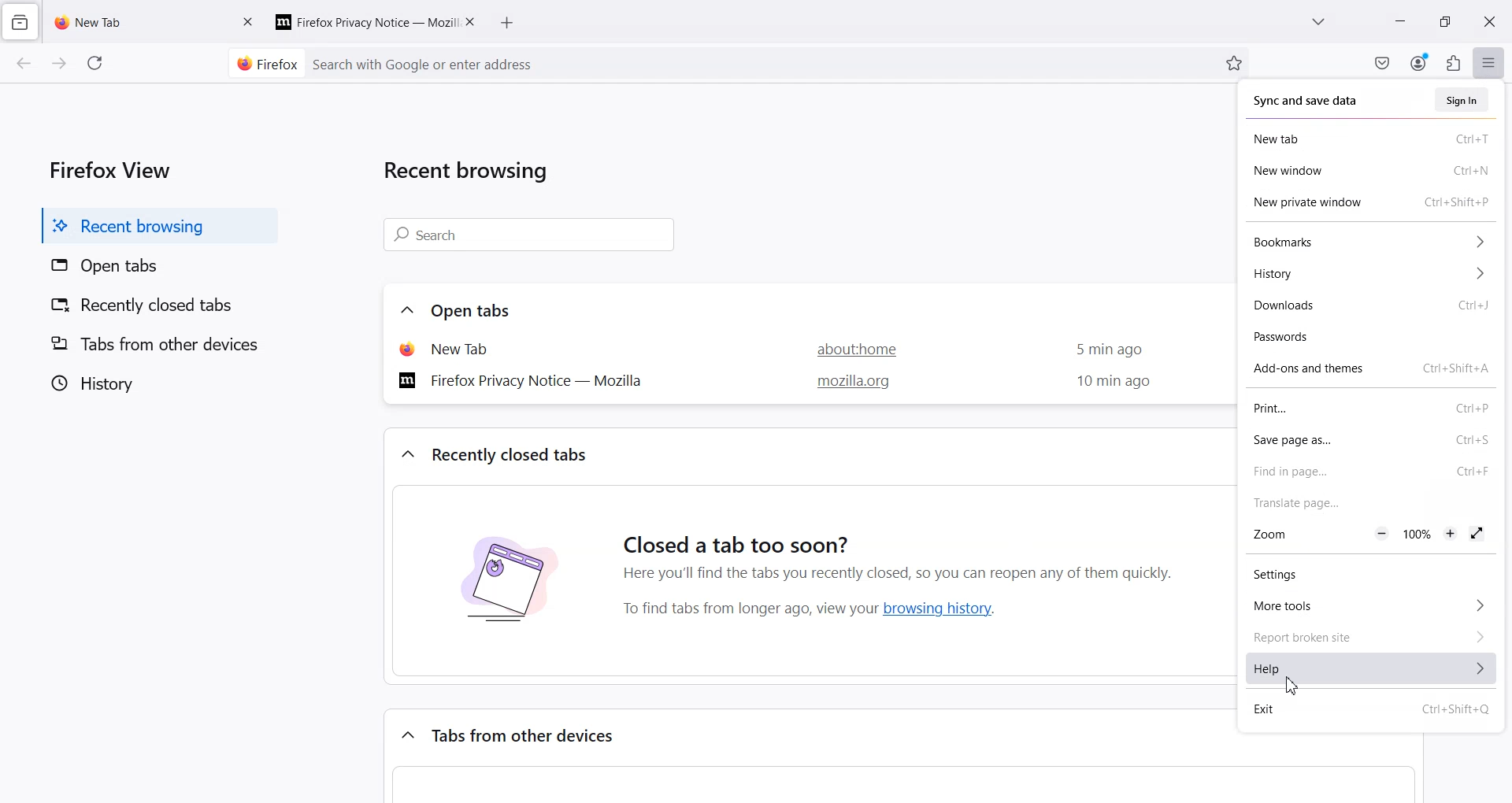 This screenshot has height=803, width=1512. Describe the element at coordinates (1451, 532) in the screenshot. I see `Zoom In` at that location.